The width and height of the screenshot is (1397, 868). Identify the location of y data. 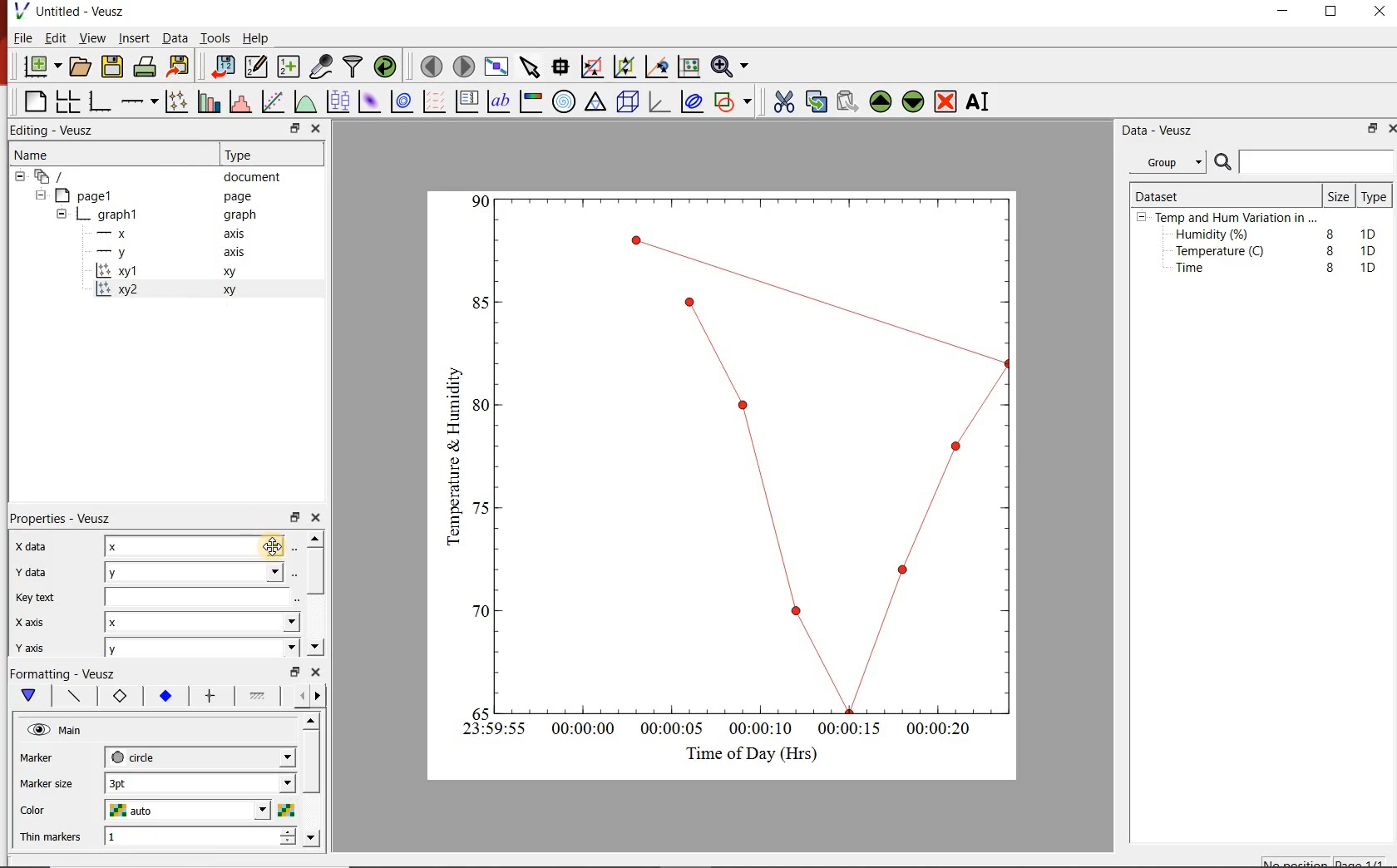
(37, 570).